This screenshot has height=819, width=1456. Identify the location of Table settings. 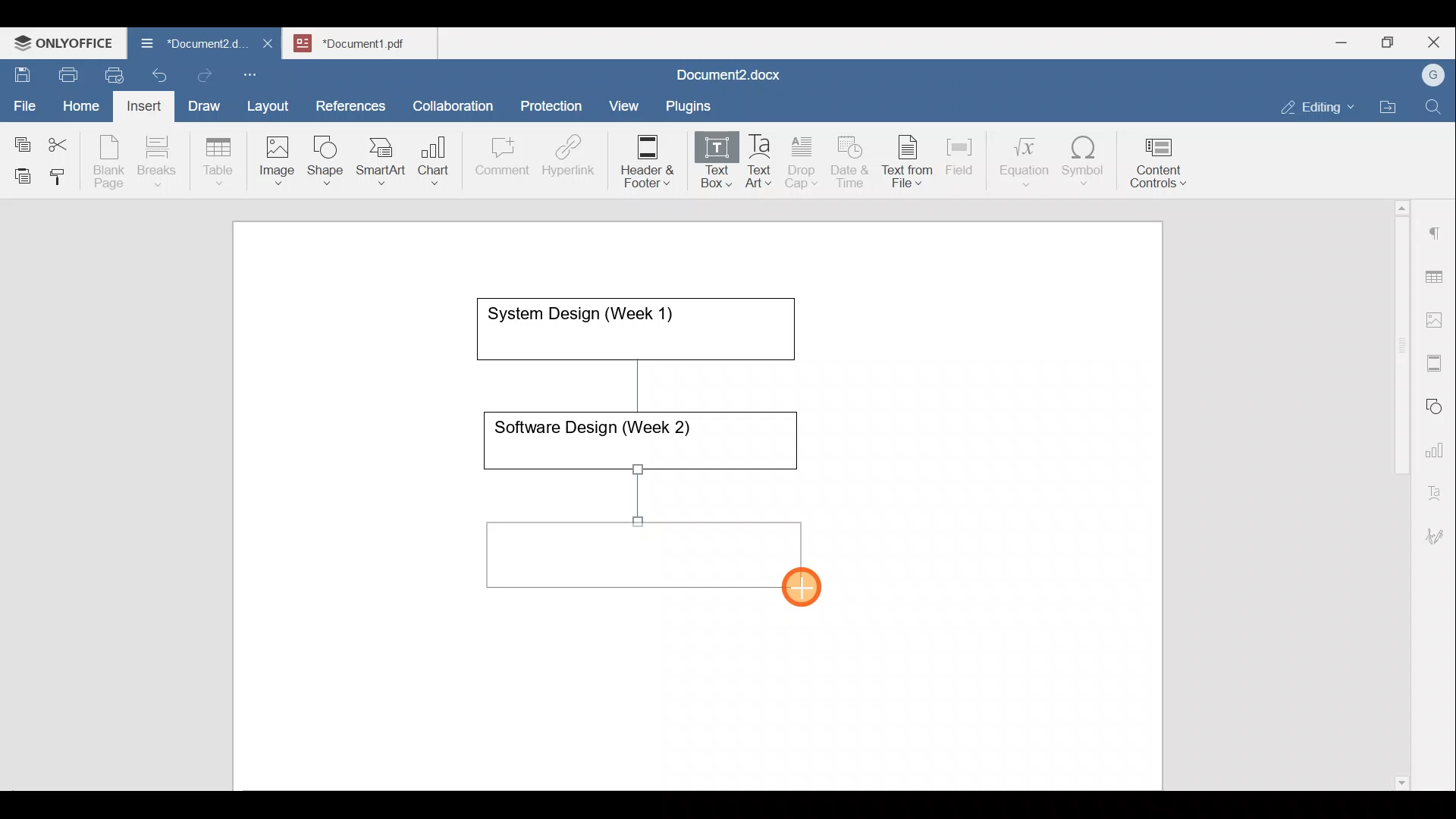
(1437, 275).